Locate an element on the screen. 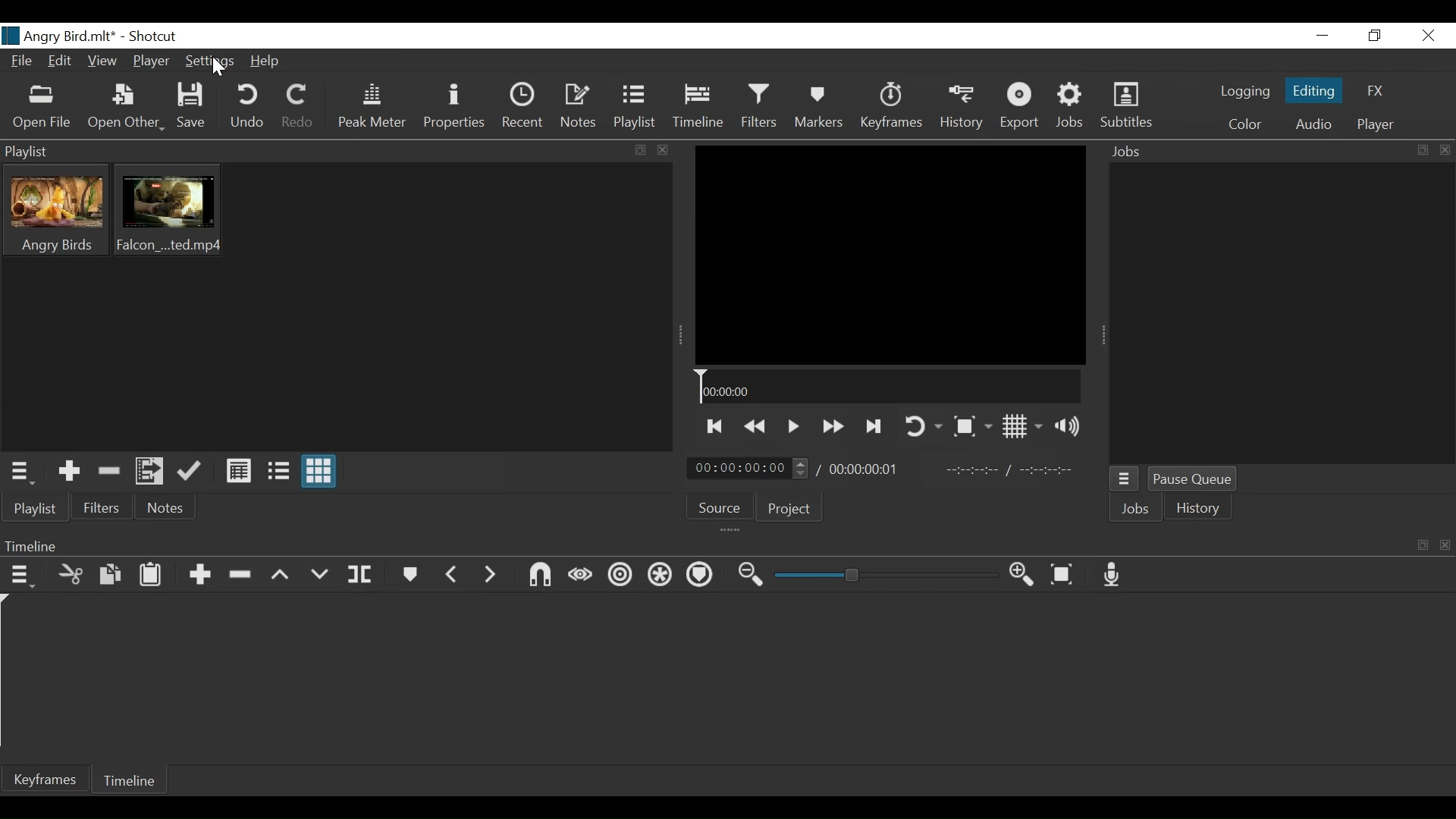  Open Other is located at coordinates (125, 108).